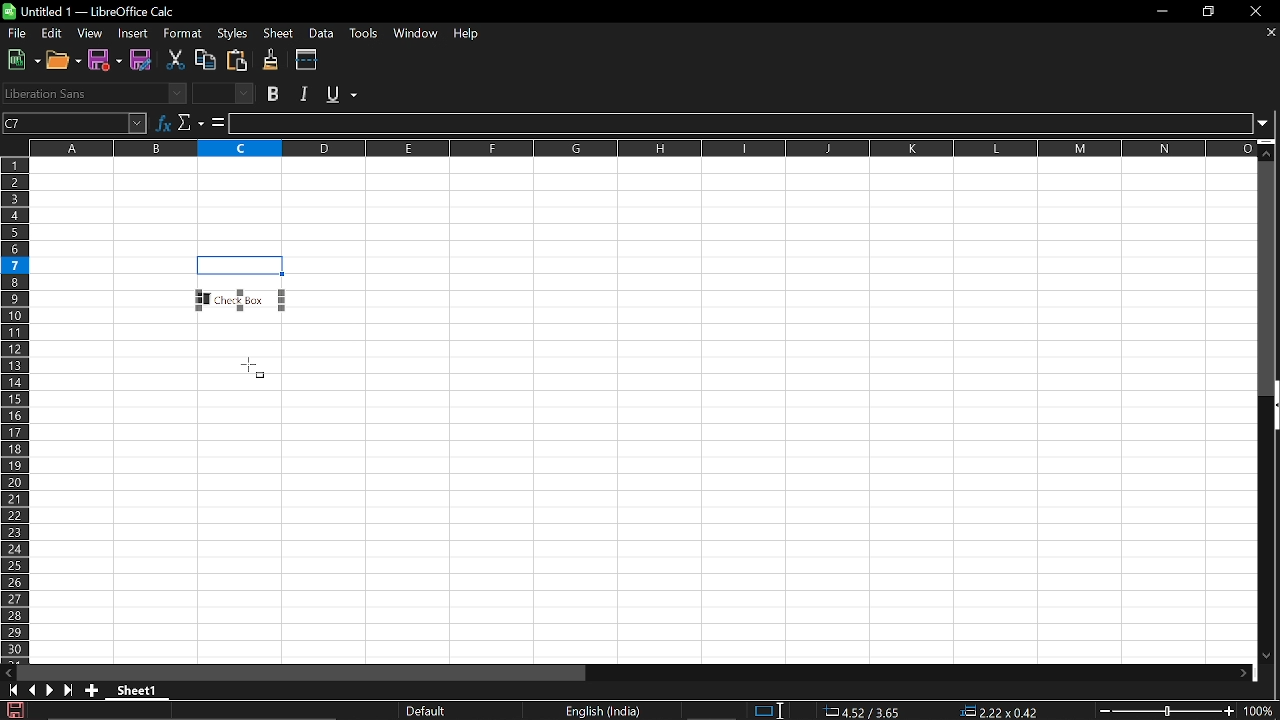 Image resolution: width=1280 pixels, height=720 pixels. I want to click on Last sheet, so click(69, 690).